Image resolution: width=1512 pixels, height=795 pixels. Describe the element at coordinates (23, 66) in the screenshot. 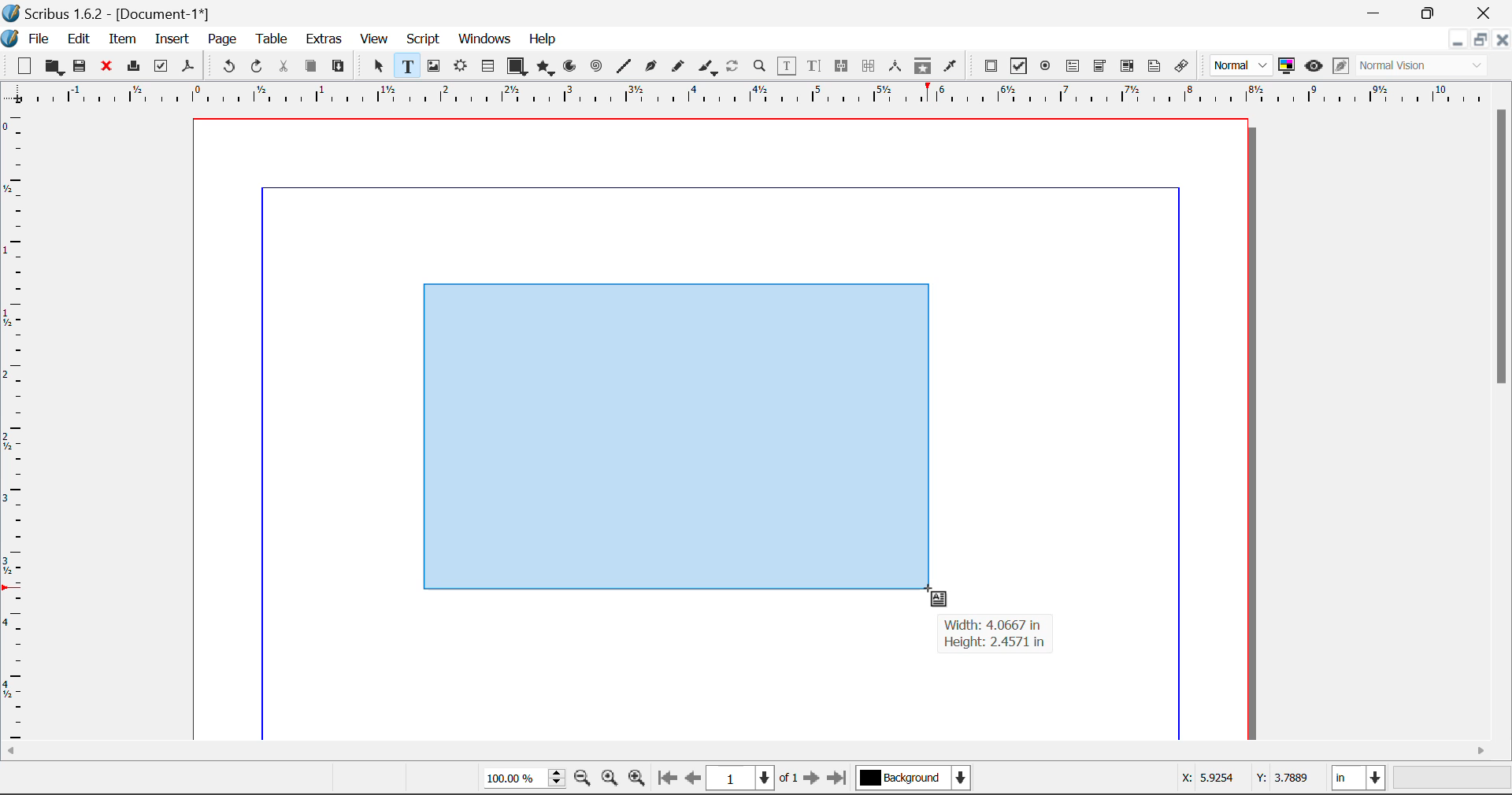

I see `New` at that location.